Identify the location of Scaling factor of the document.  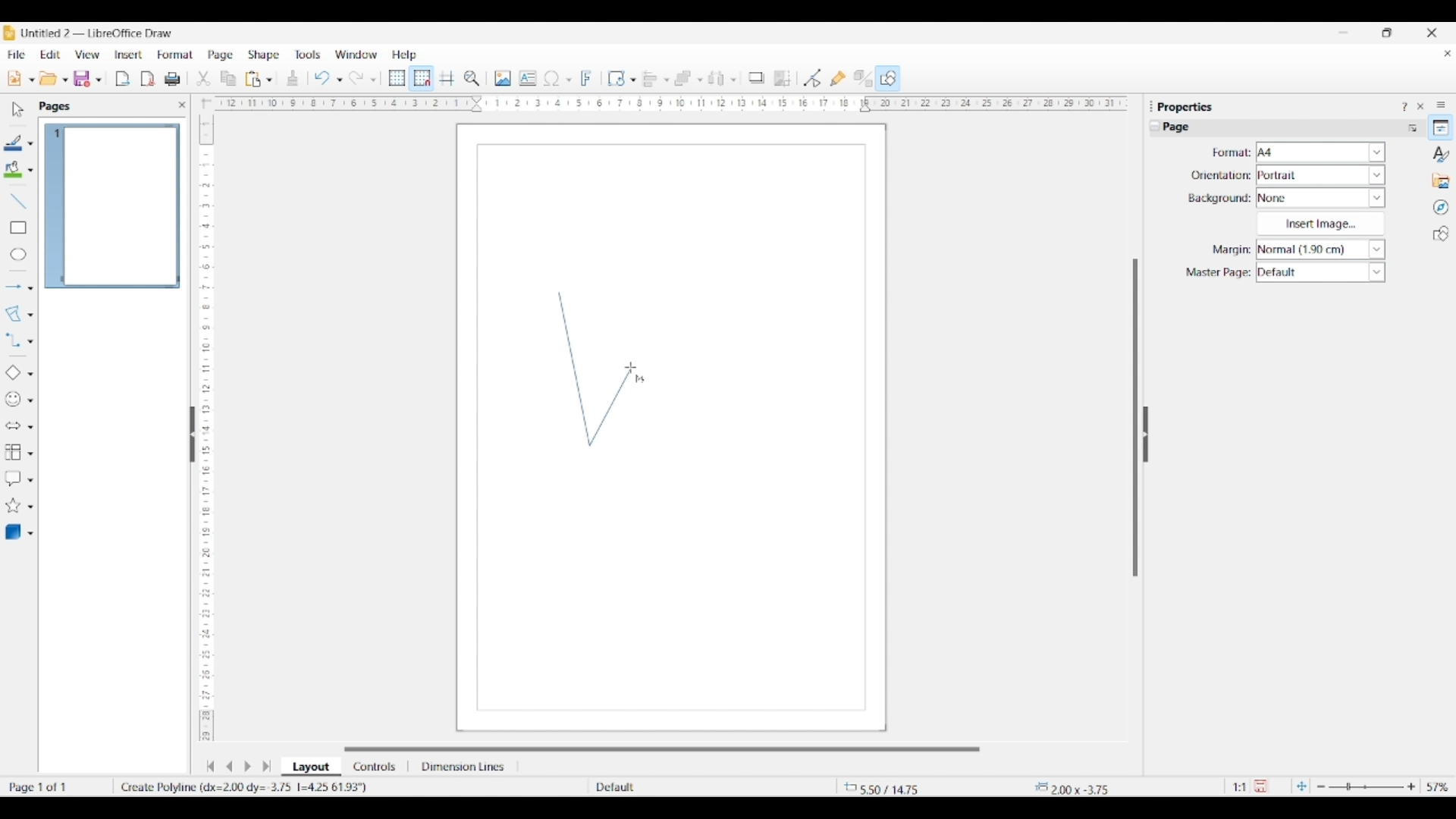
(1240, 787).